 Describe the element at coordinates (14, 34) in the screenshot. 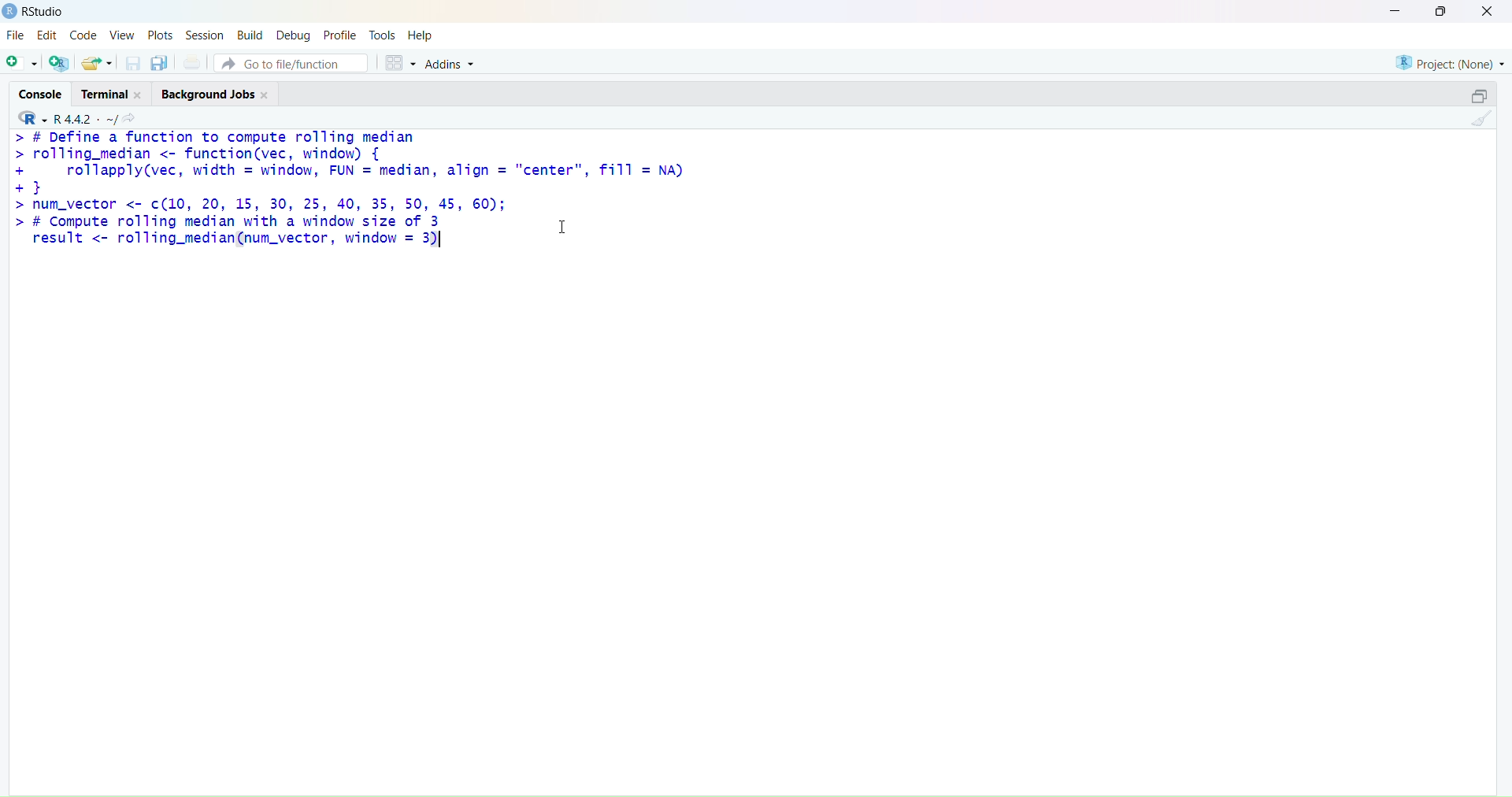

I see `file` at that location.